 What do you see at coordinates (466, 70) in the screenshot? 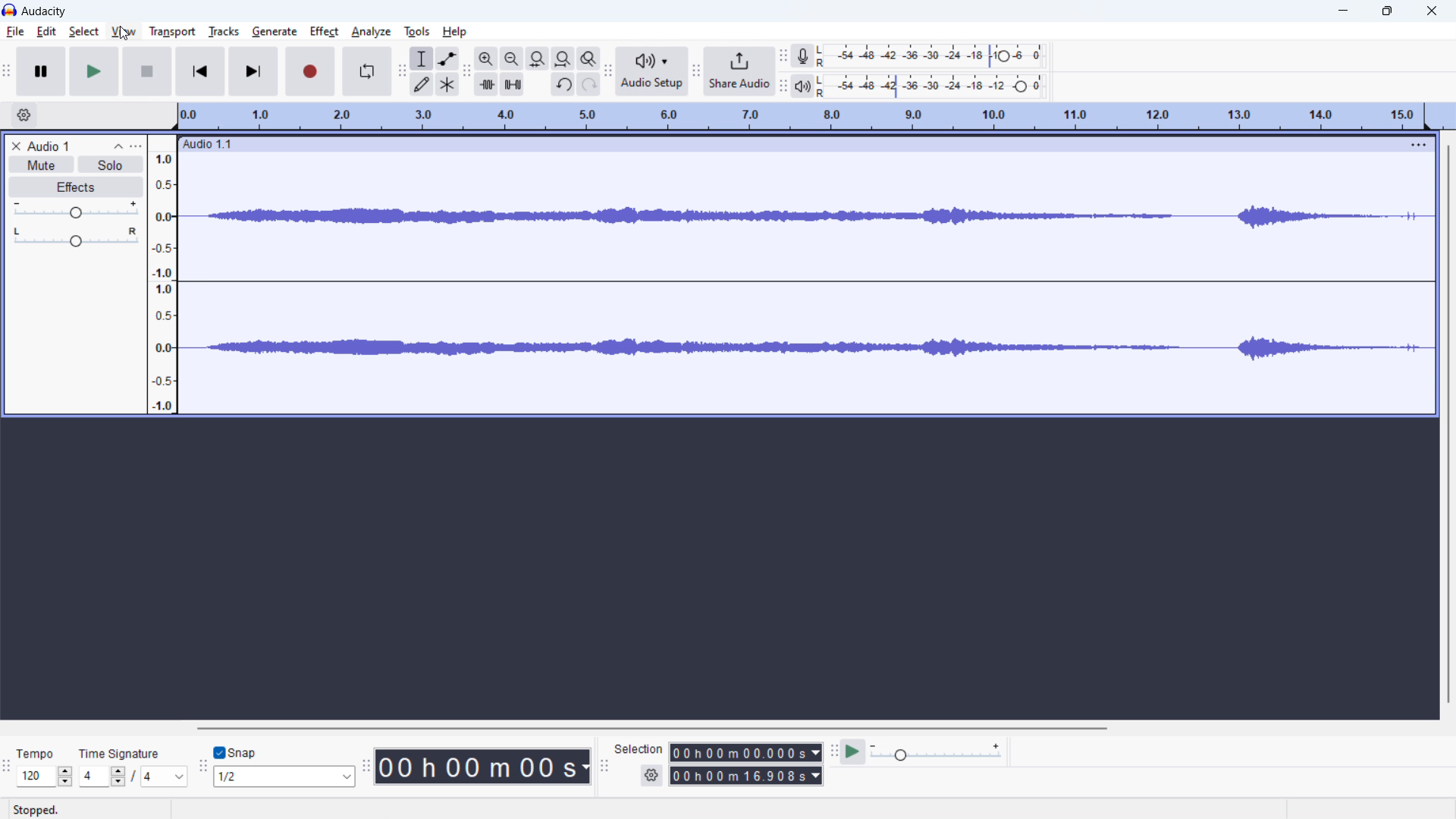
I see `edit toolbar` at bounding box center [466, 70].